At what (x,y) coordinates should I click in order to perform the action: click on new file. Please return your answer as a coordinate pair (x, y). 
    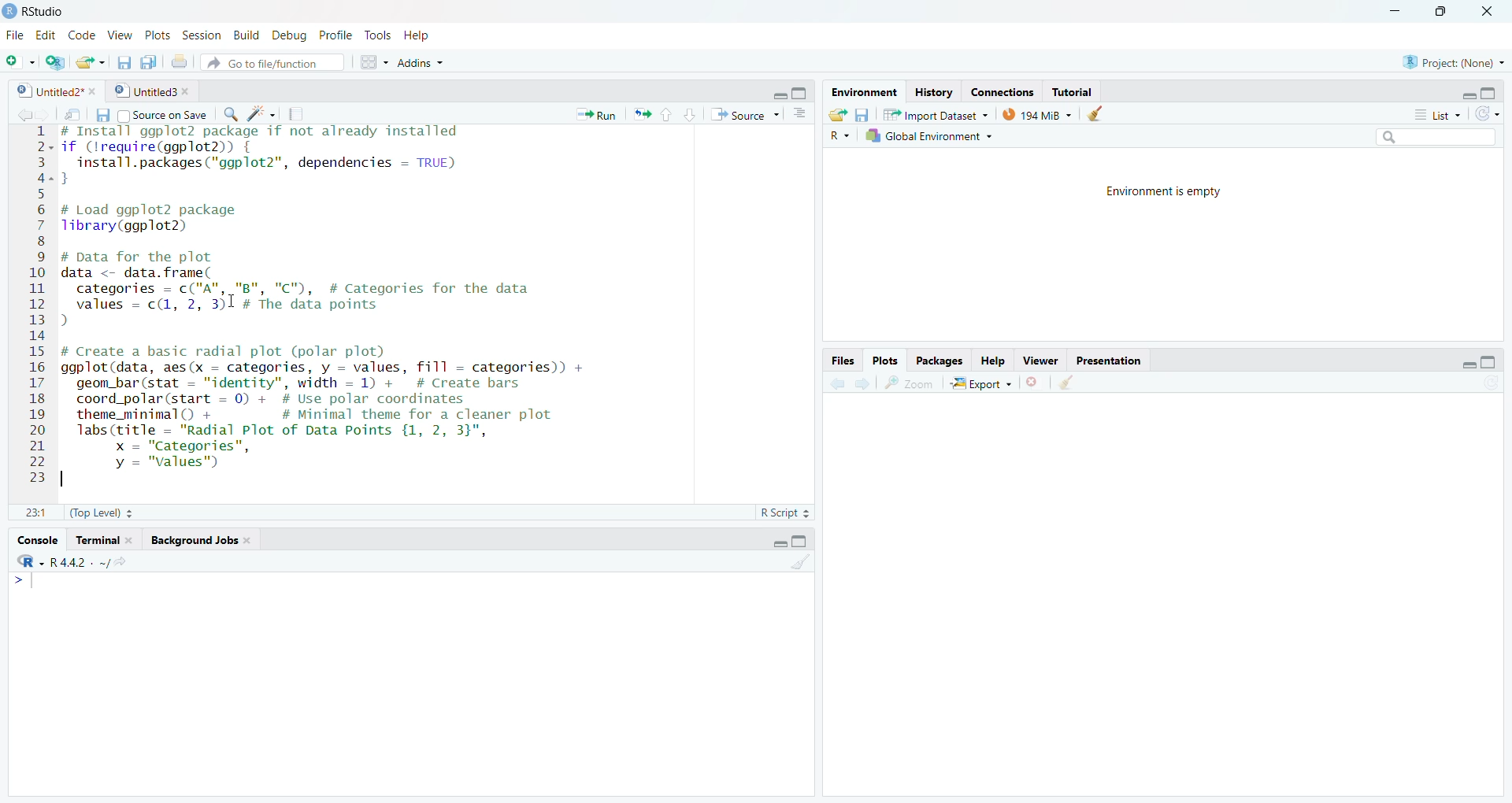
    Looking at the image, I should click on (20, 61).